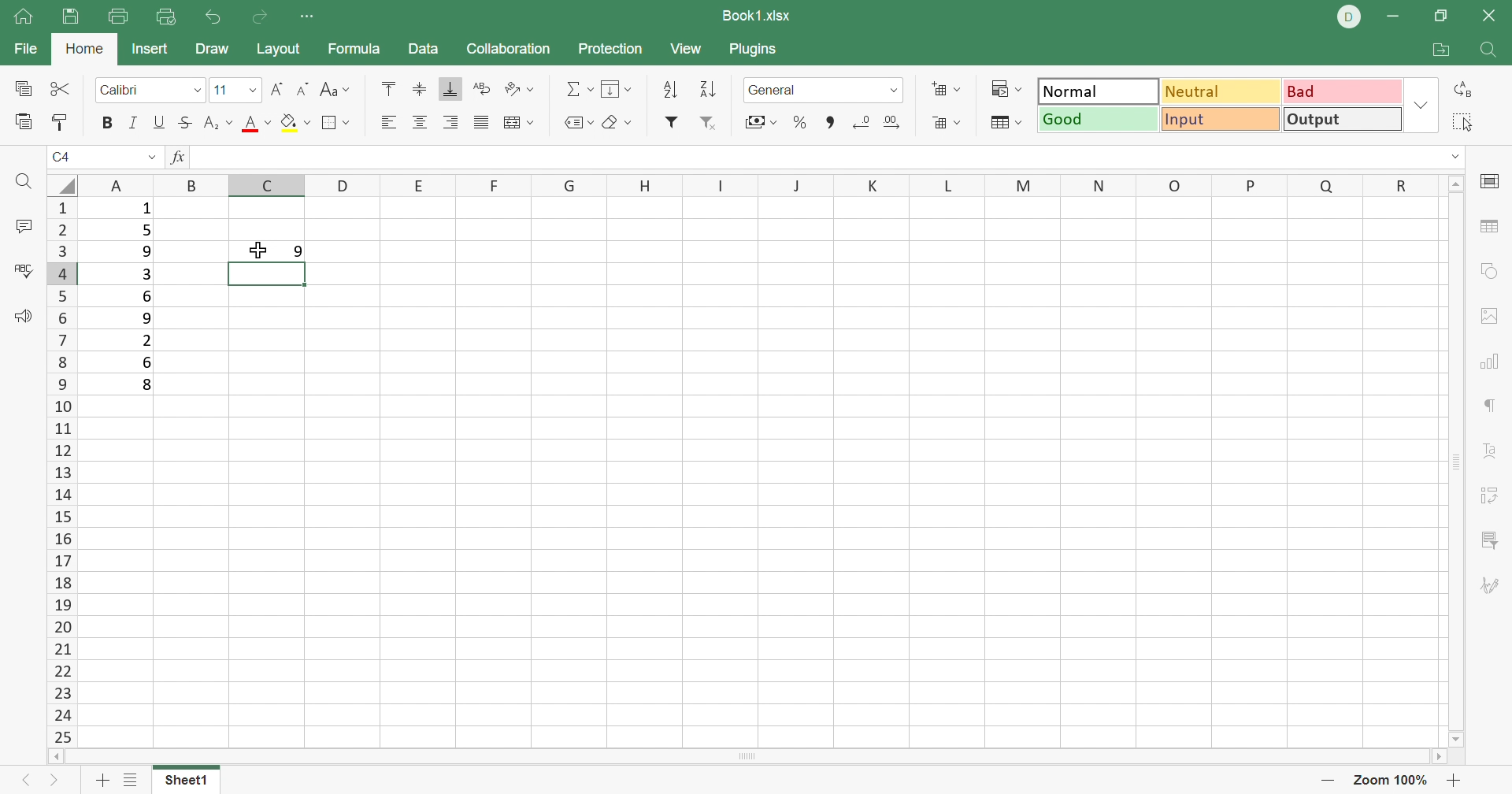 The image size is (1512, 794). What do you see at coordinates (57, 781) in the screenshot?
I see `Next` at bounding box center [57, 781].